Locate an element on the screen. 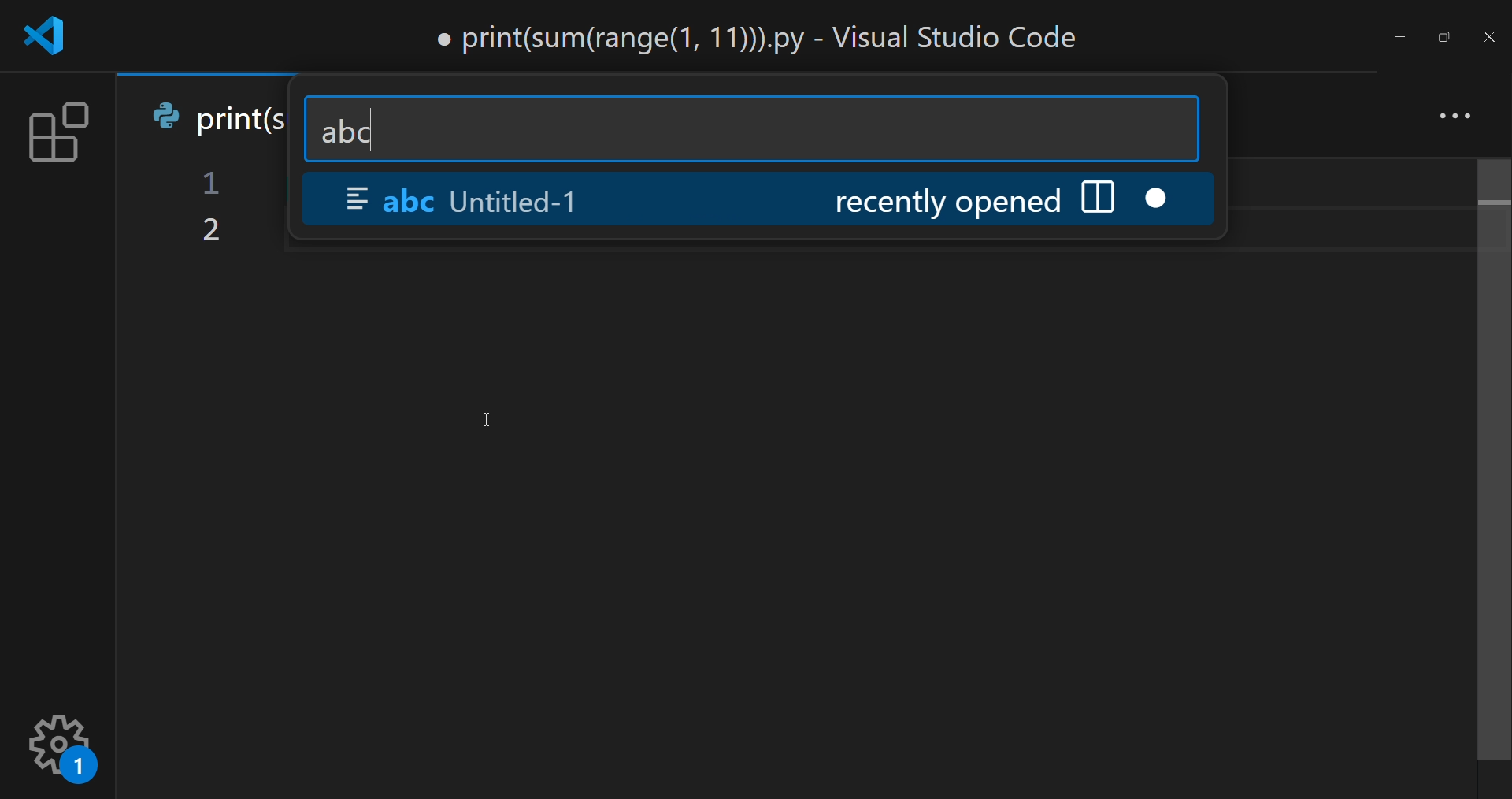  1 is located at coordinates (213, 179).